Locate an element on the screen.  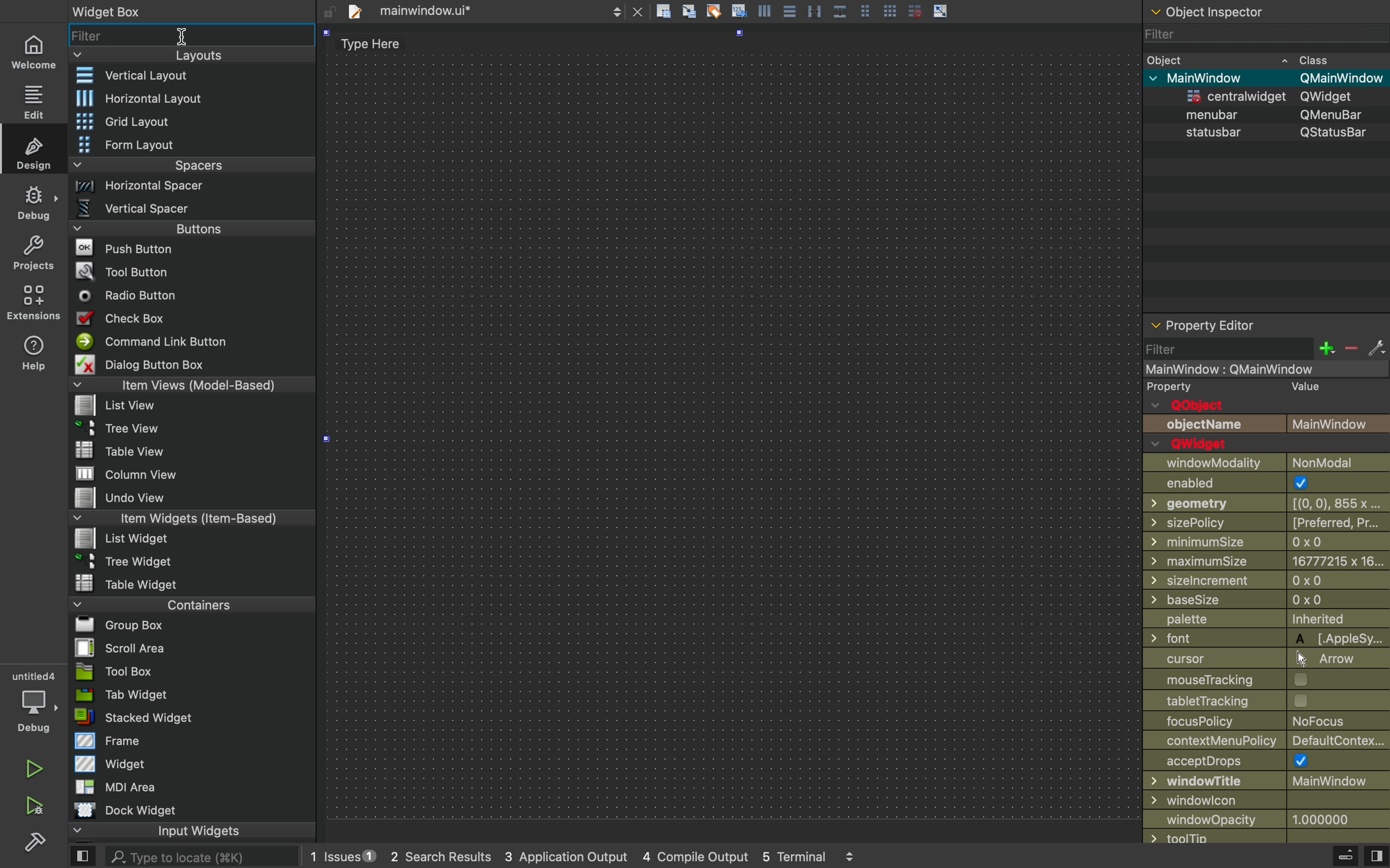
run  is located at coordinates (31, 767).